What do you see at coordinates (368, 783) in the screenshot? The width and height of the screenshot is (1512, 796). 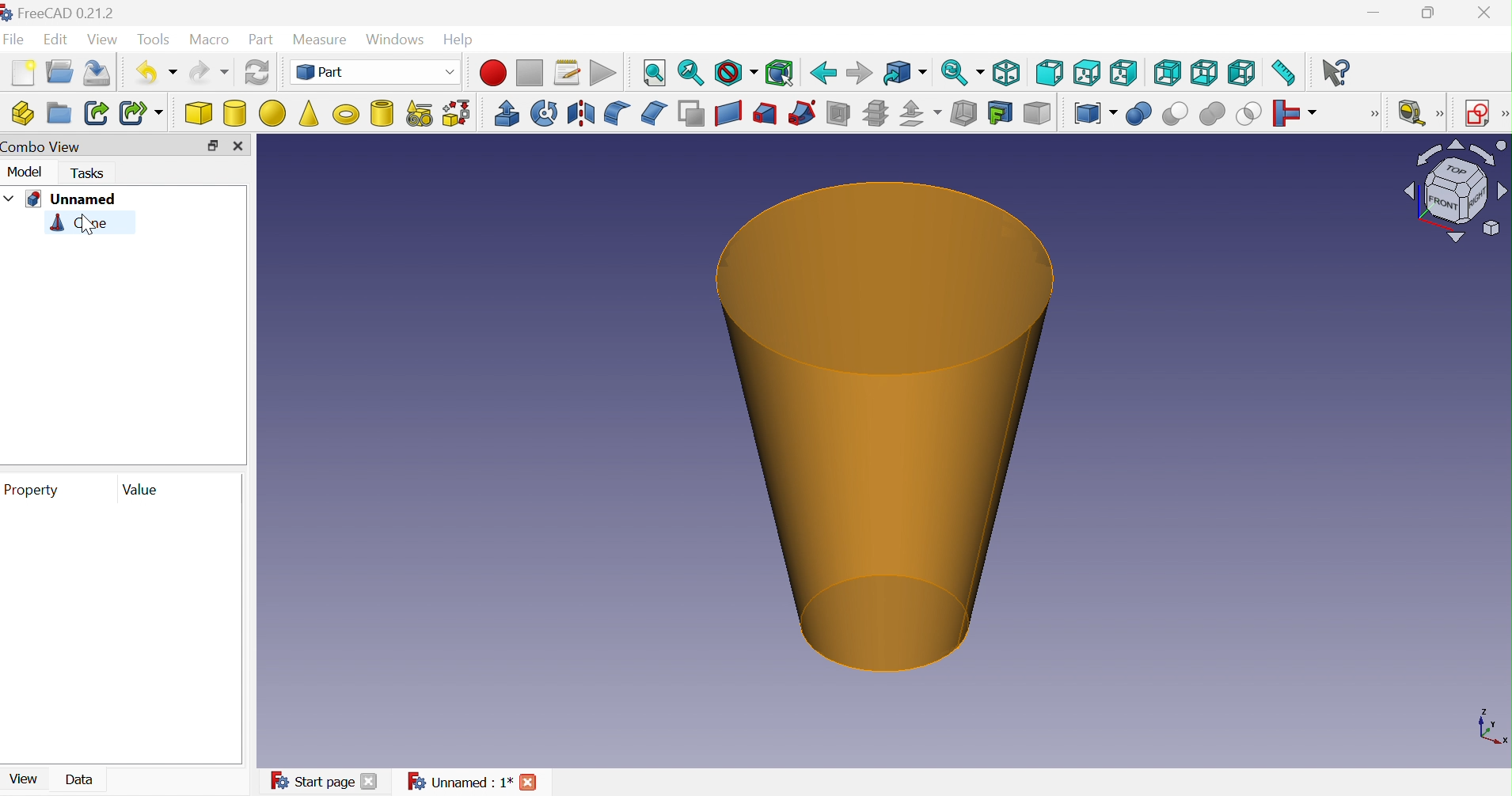 I see `Close` at bounding box center [368, 783].